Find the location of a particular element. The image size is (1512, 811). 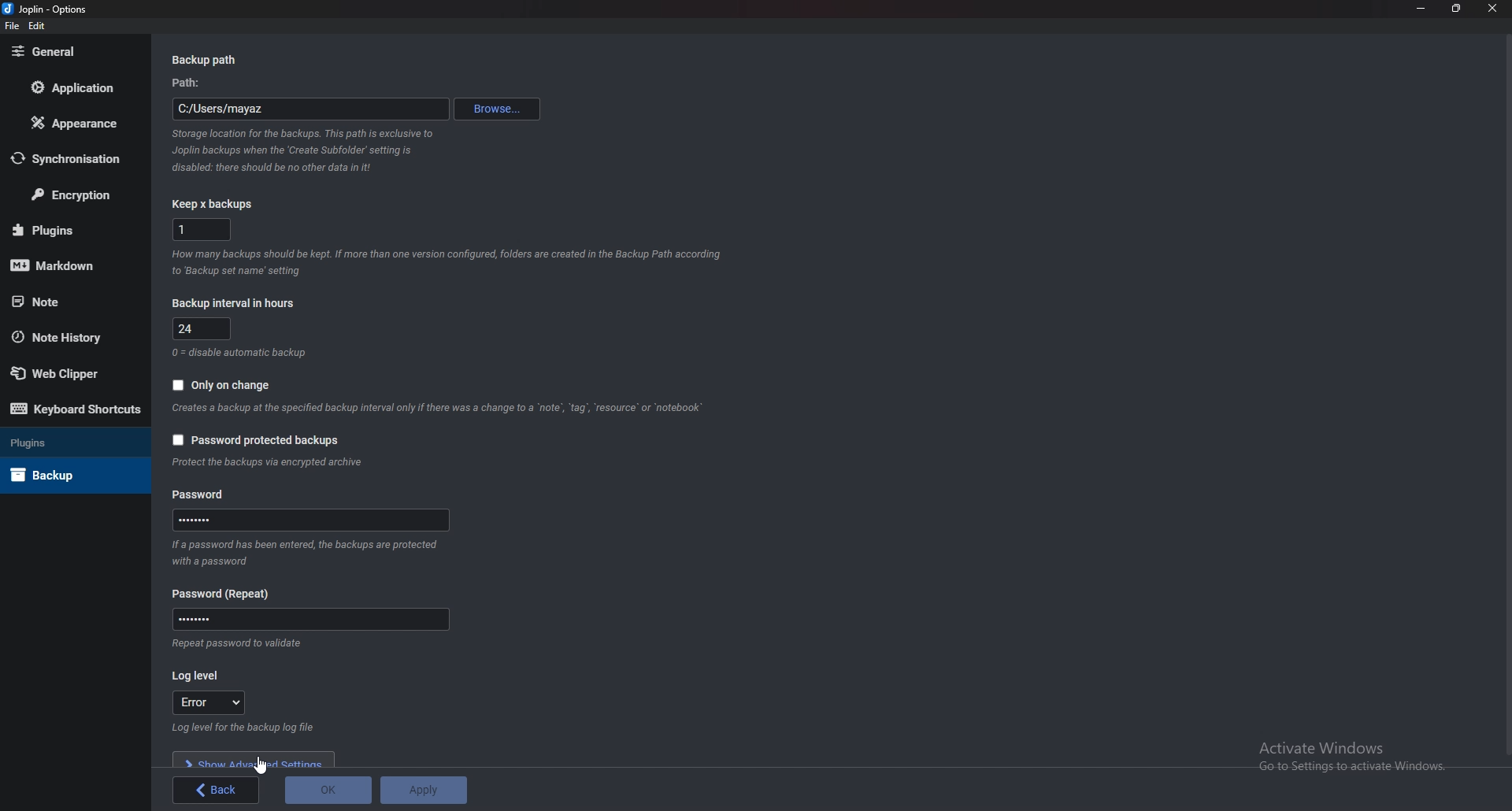

Plugins is located at coordinates (67, 444).